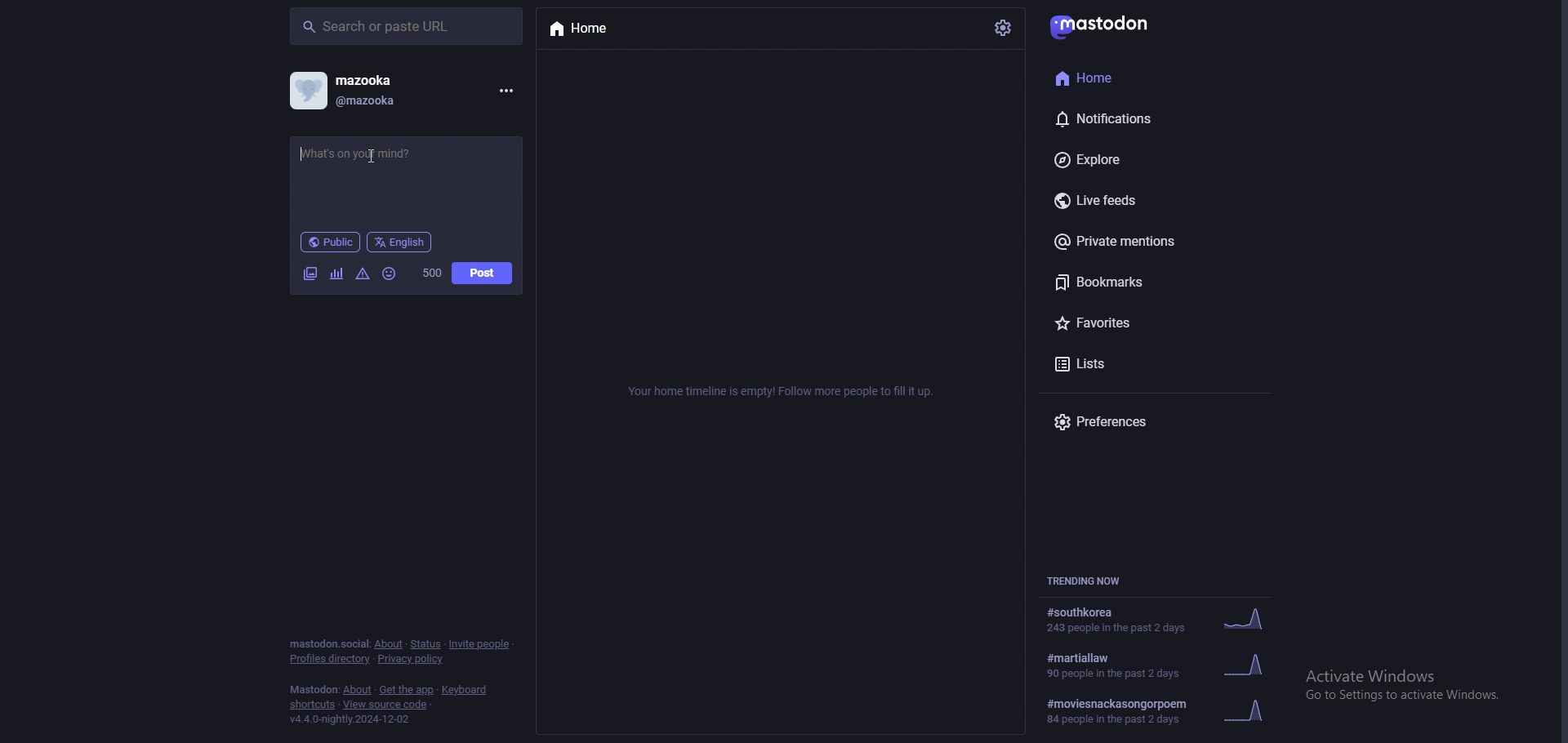 This screenshot has height=743, width=1568. I want to click on emoji, so click(390, 274).